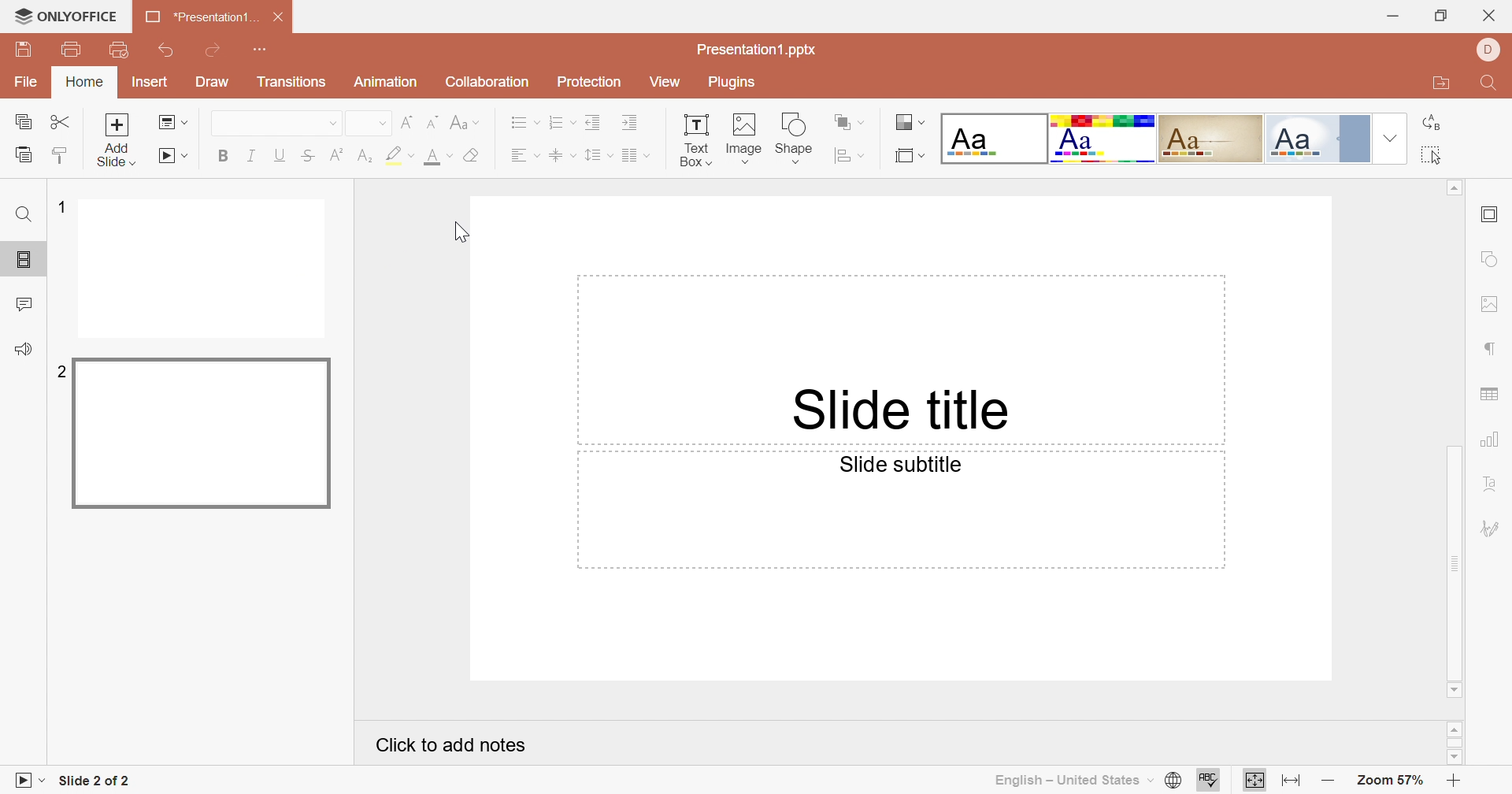 This screenshot has height=794, width=1512. Describe the element at coordinates (1452, 759) in the screenshot. I see `Scroll Down` at that location.